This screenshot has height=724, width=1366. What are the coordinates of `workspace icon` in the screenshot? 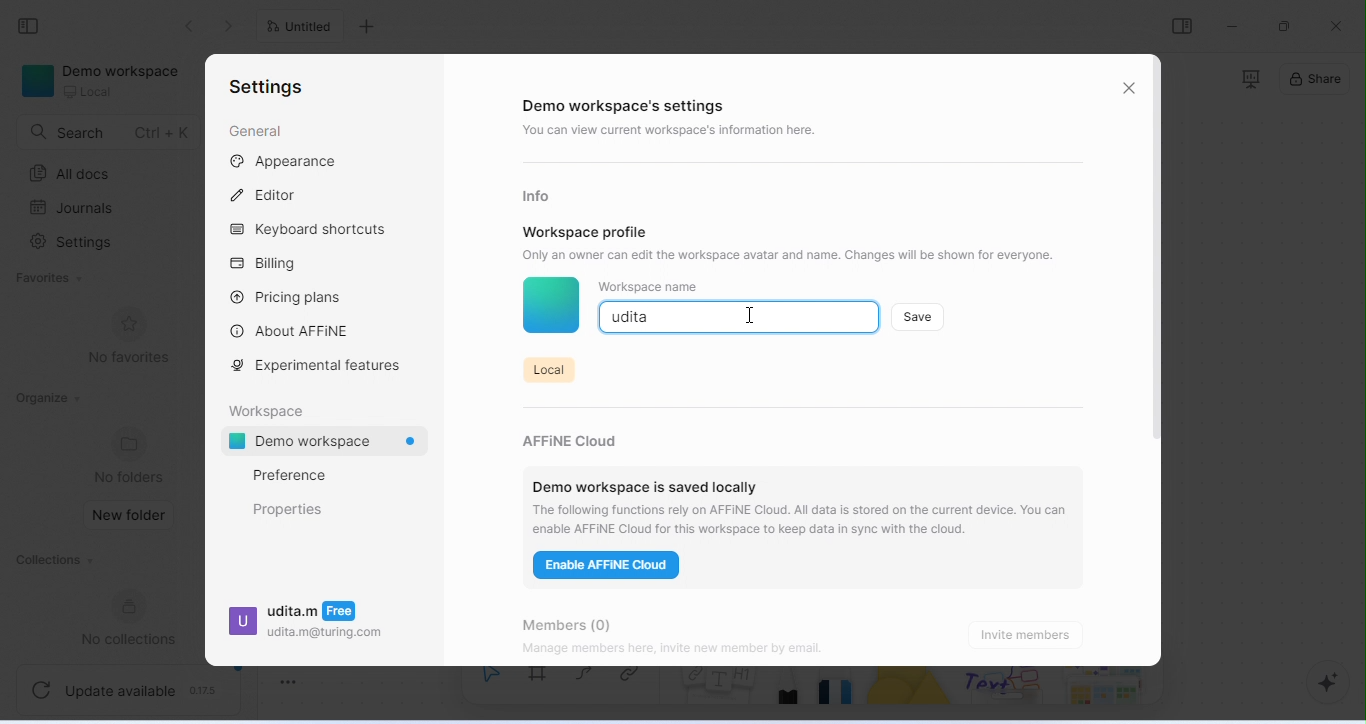 It's located at (550, 307).